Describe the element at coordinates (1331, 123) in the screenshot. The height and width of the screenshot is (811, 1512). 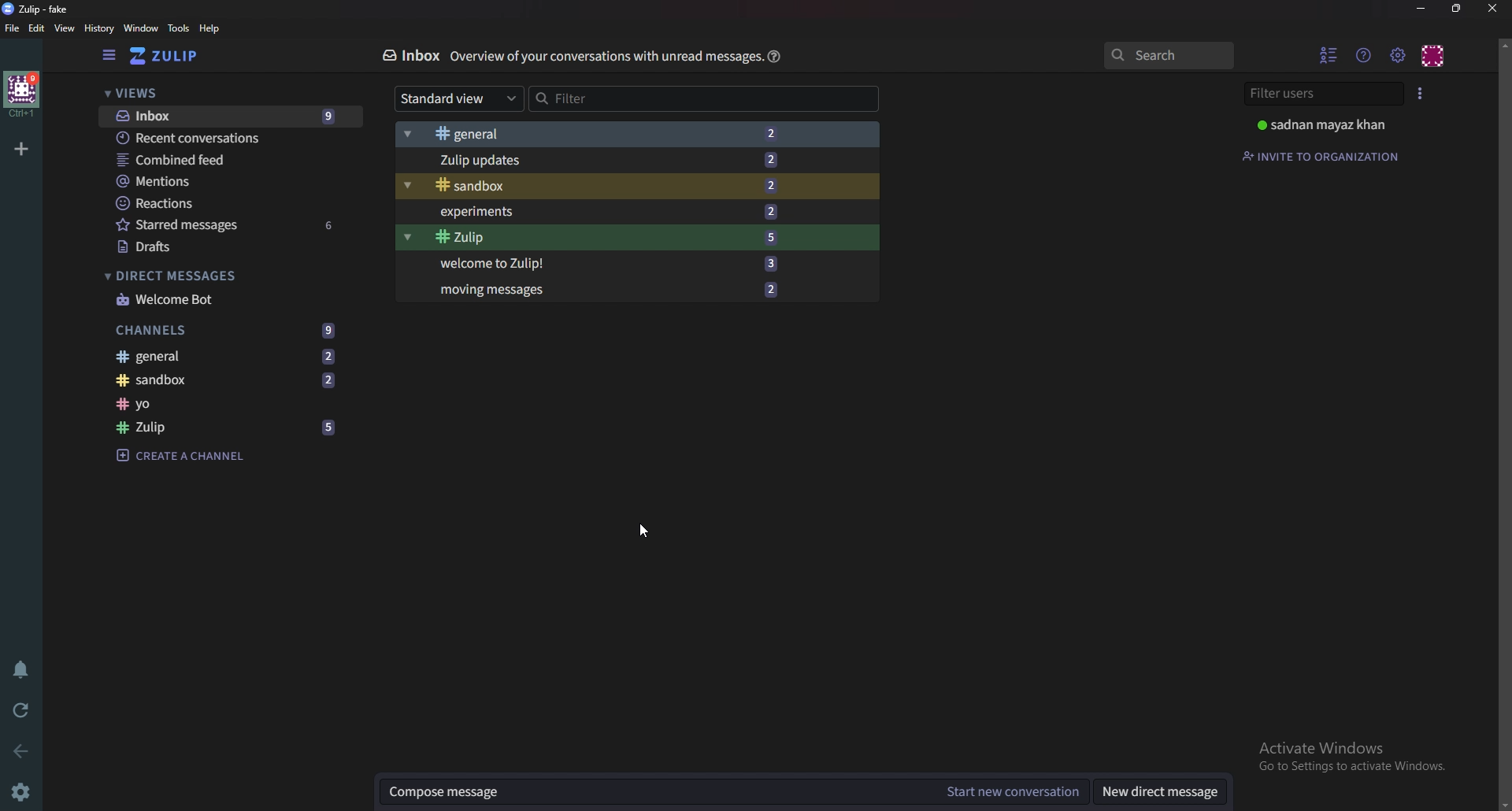
I see `Profile` at that location.